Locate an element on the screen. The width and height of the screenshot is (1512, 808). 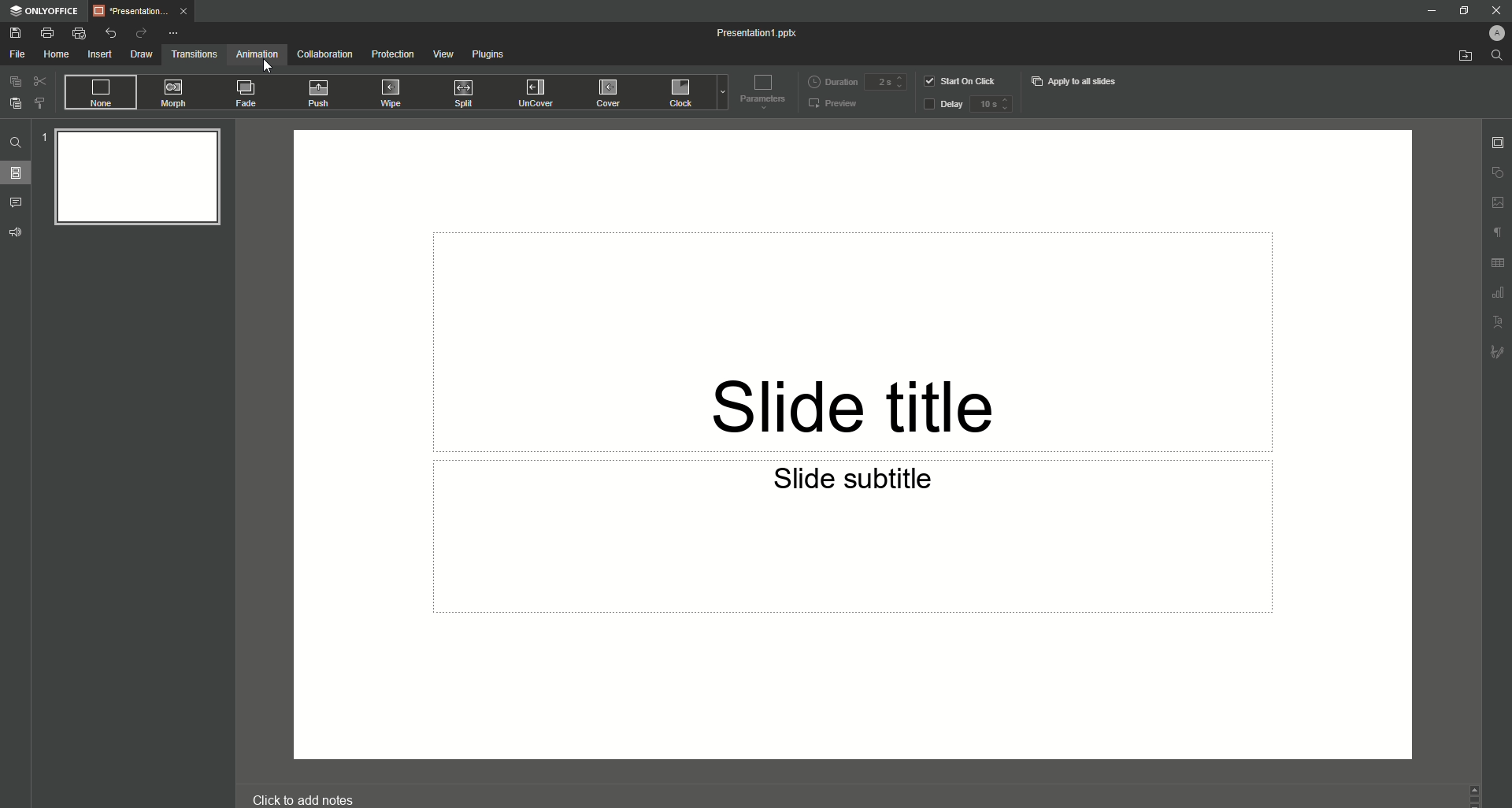
Table Settings is located at coordinates (1495, 265).